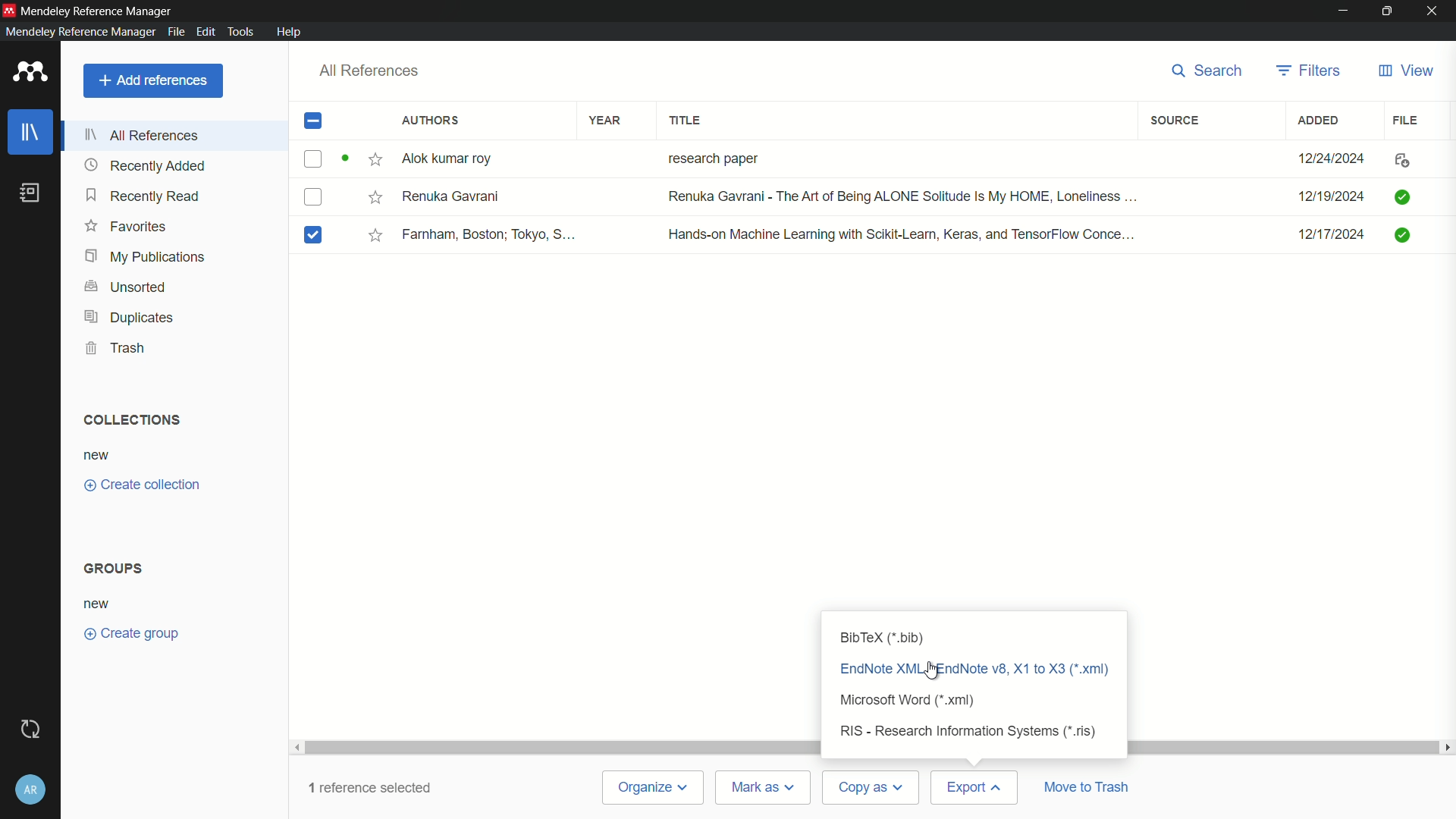 The height and width of the screenshot is (819, 1456). Describe the element at coordinates (31, 133) in the screenshot. I see `library` at that location.